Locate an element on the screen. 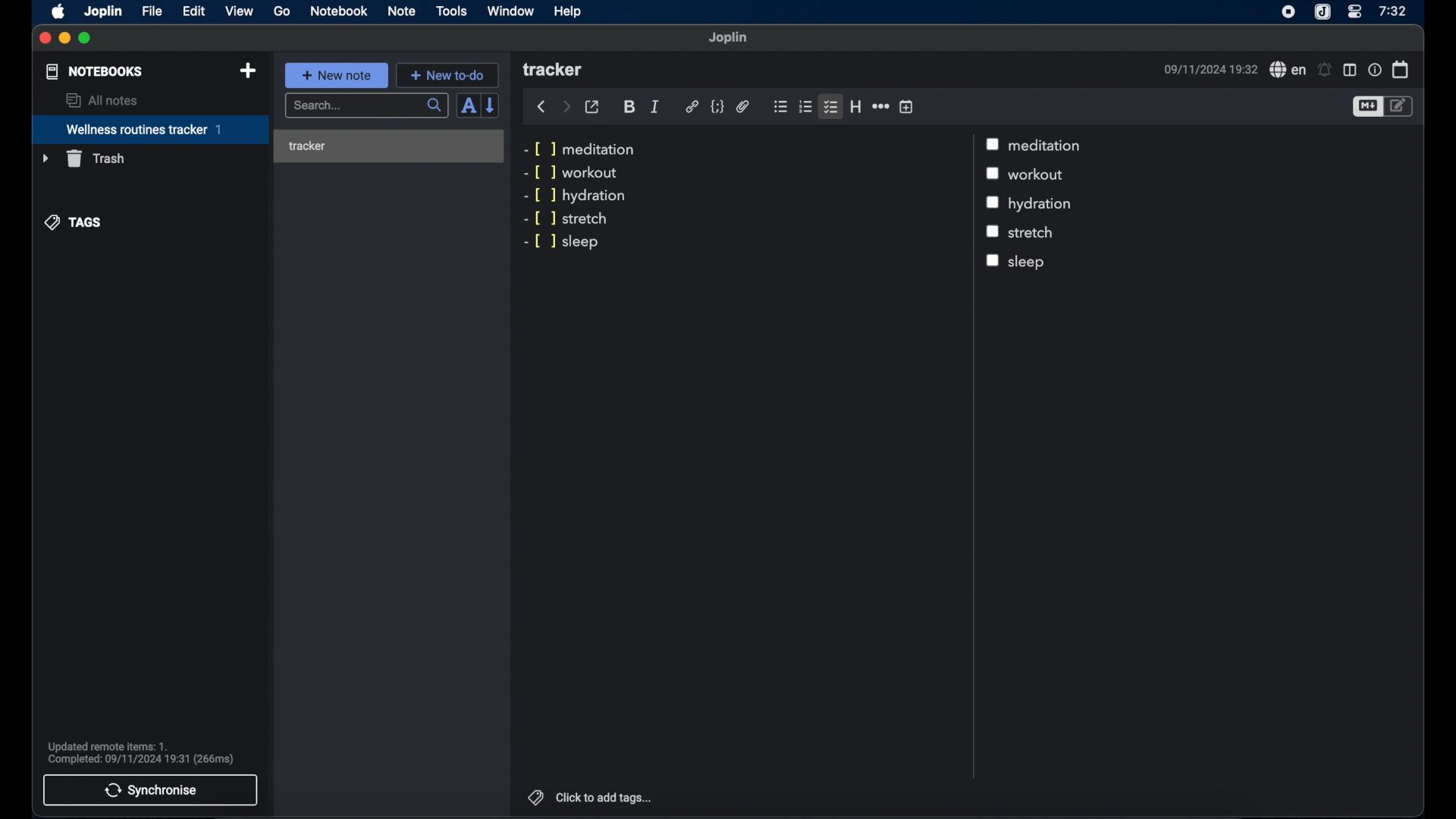  synchronise is located at coordinates (151, 790).